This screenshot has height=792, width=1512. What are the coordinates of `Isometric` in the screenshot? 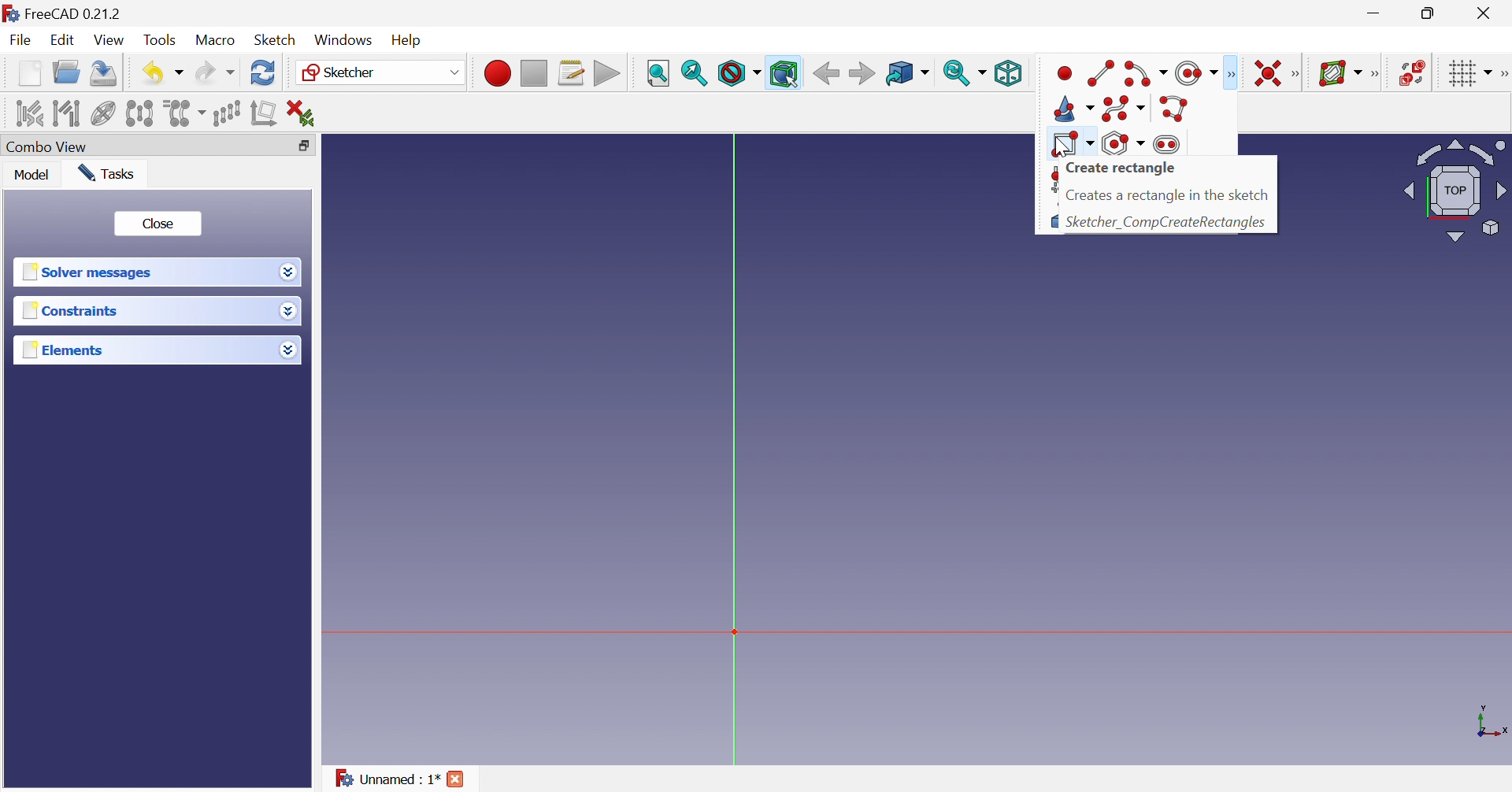 It's located at (1011, 72).